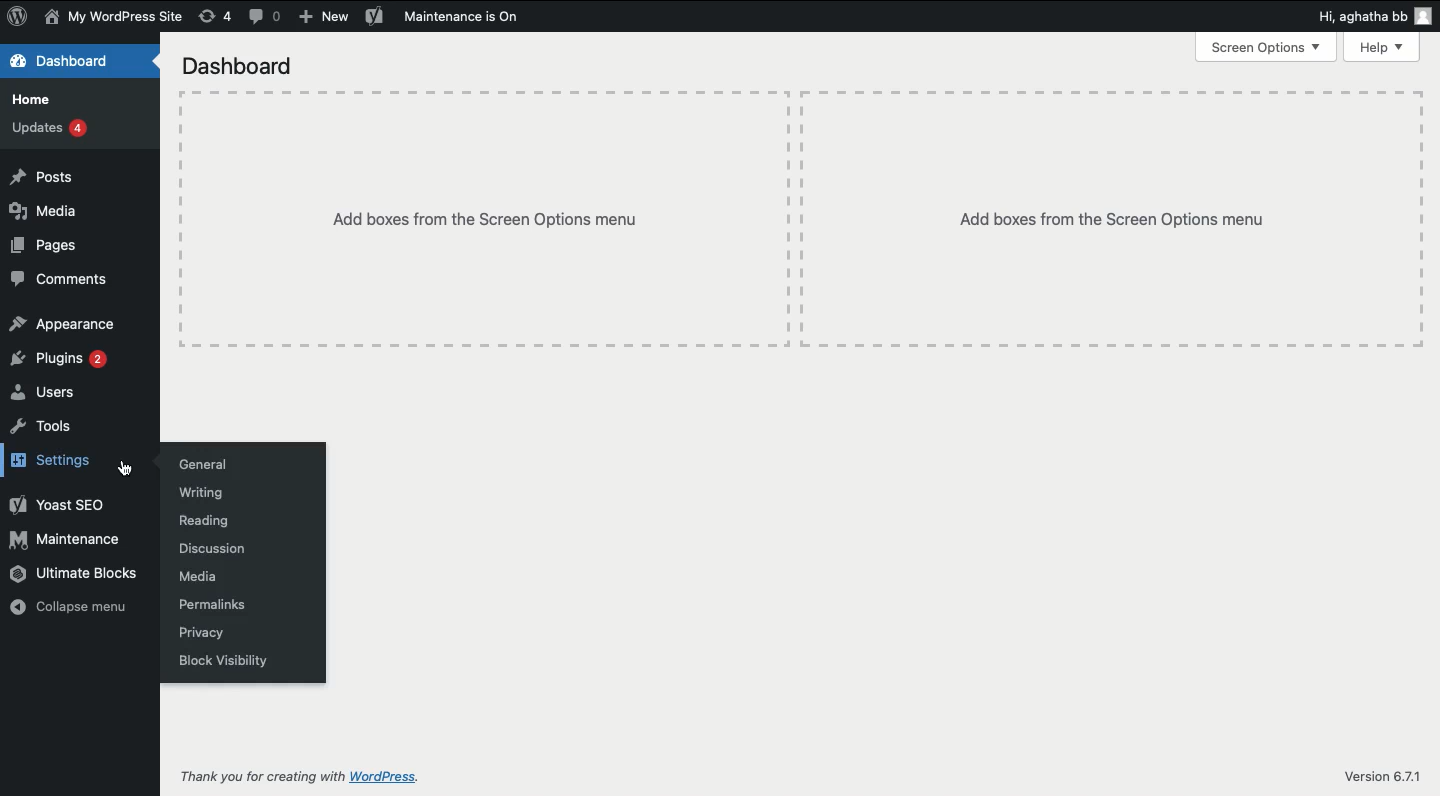  Describe the element at coordinates (201, 634) in the screenshot. I see `privacy ` at that location.